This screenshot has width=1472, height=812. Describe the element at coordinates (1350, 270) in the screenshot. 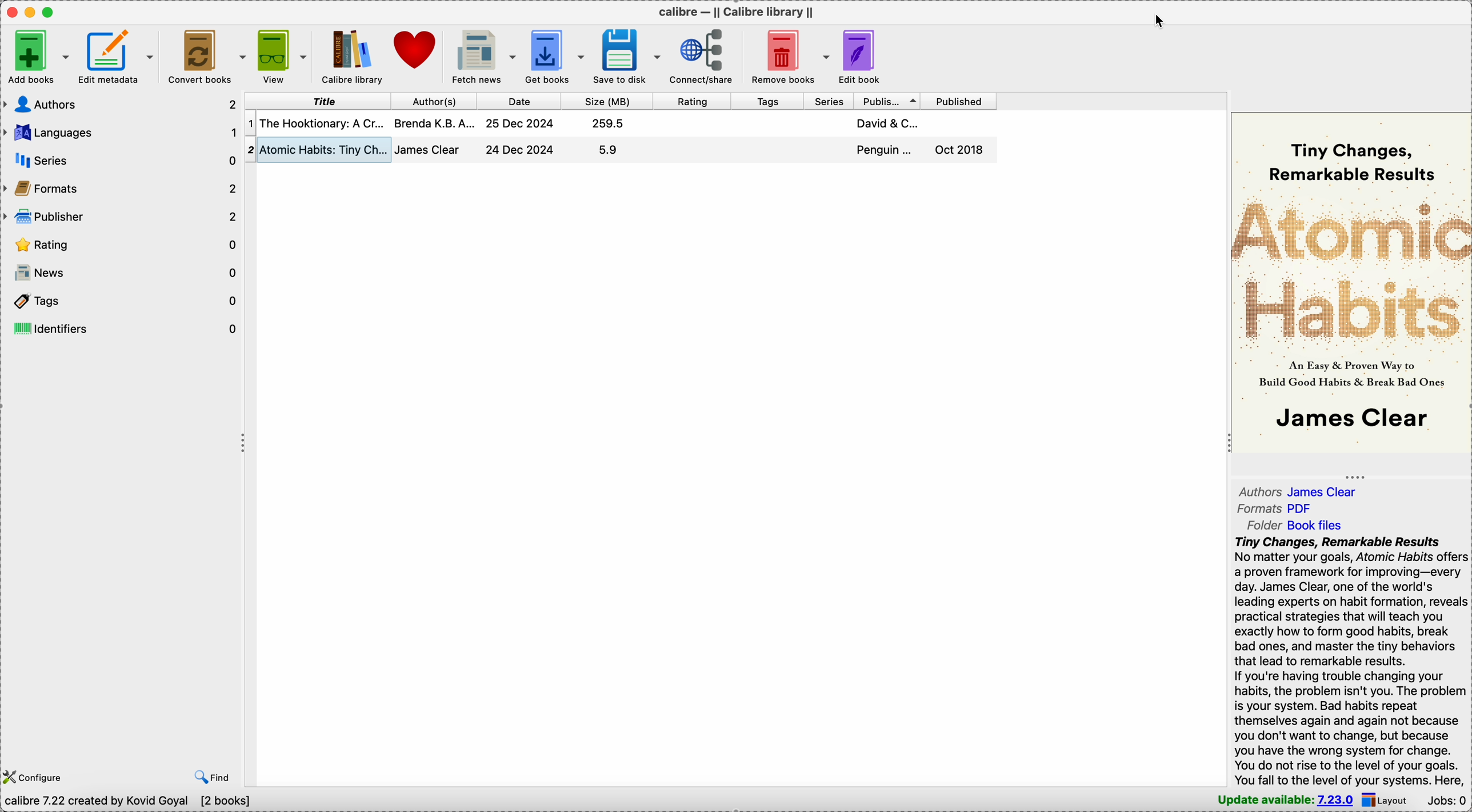

I see `atomic habits` at that location.